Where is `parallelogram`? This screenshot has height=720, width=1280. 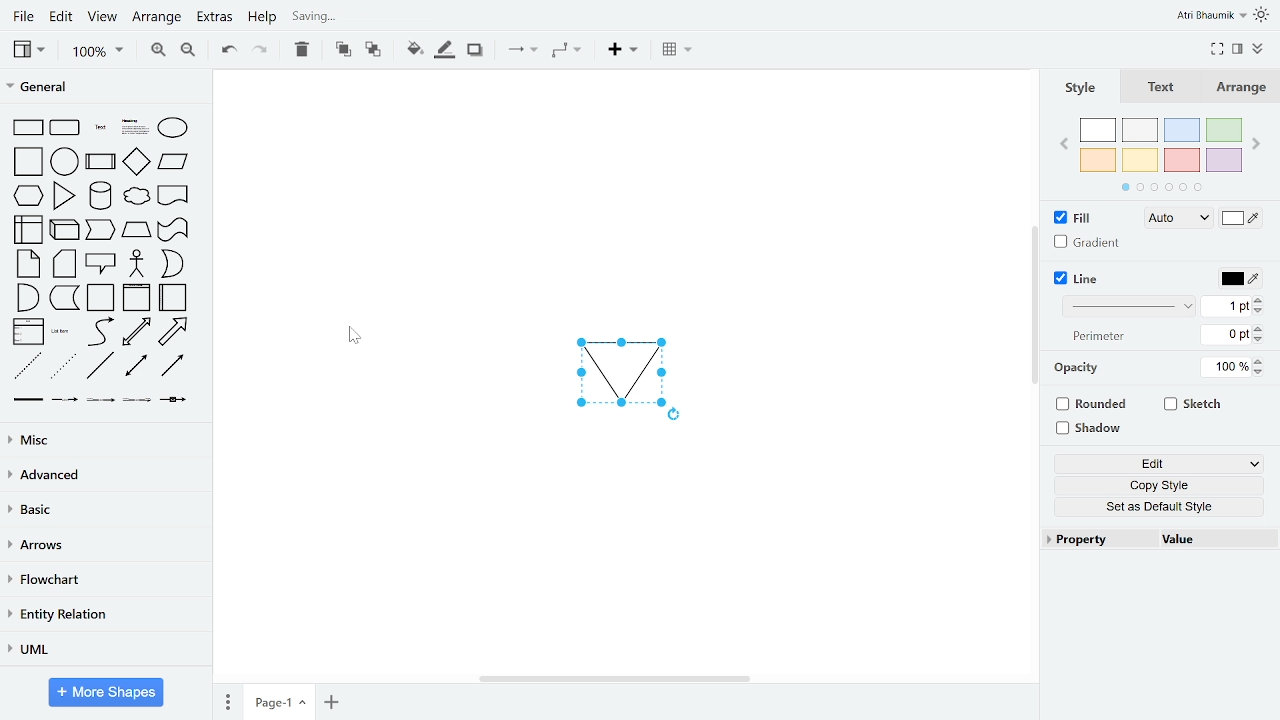
parallelogram is located at coordinates (173, 162).